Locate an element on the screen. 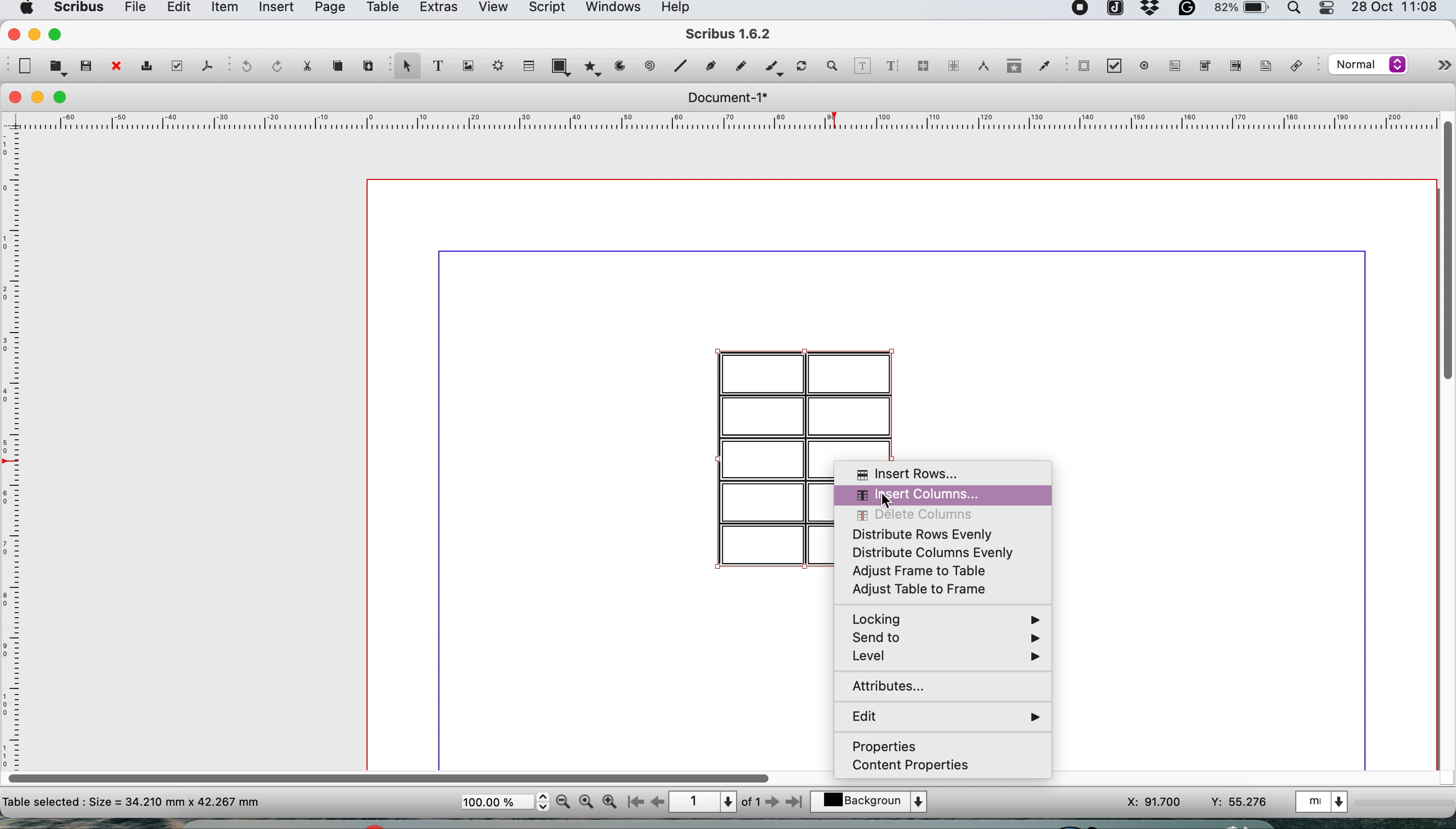 The image size is (1456, 829). paste is located at coordinates (367, 64).